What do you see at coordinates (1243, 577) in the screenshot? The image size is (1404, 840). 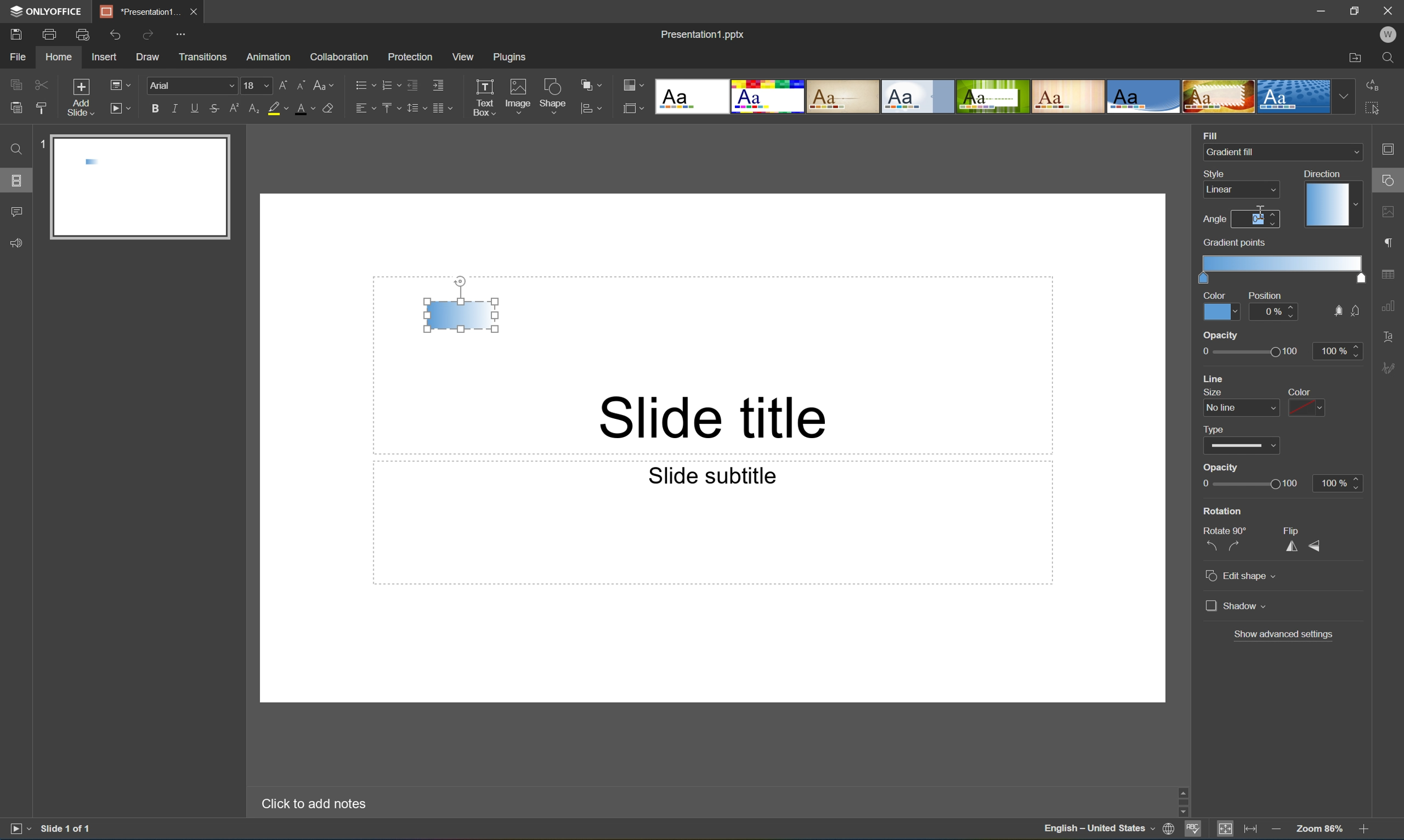 I see `Edit shape` at bounding box center [1243, 577].